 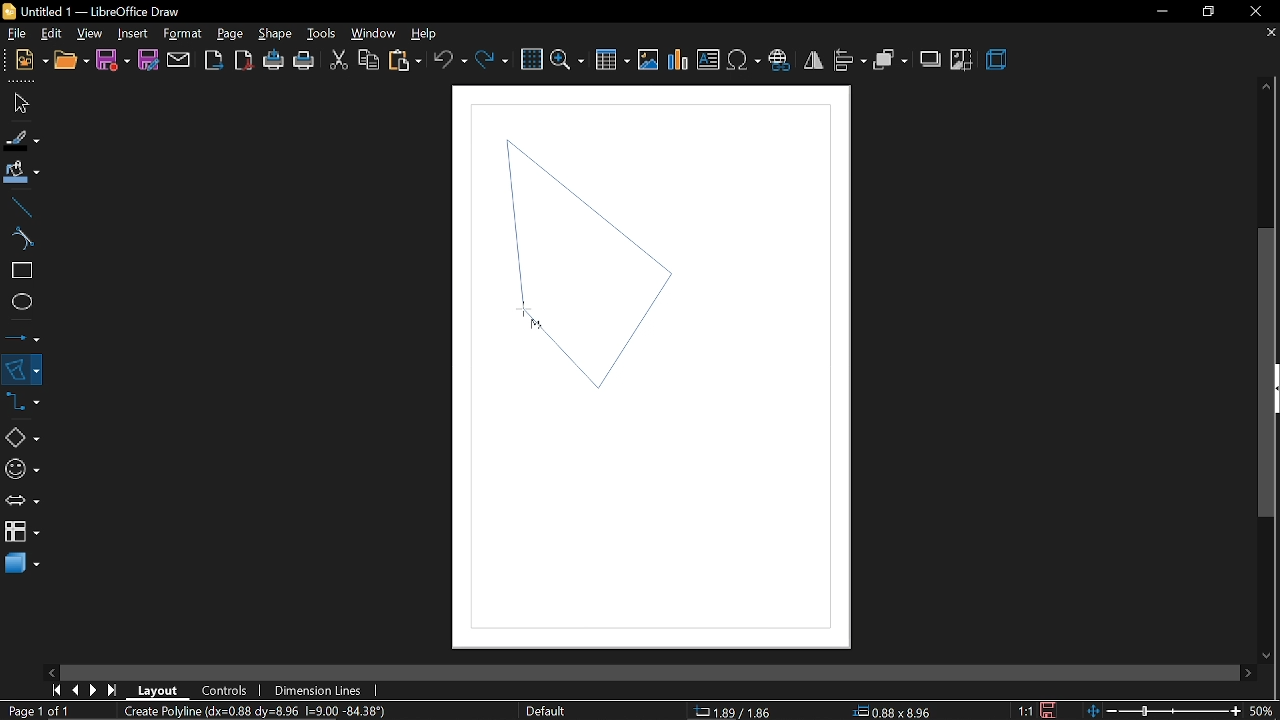 I want to click on move down, so click(x=1268, y=653).